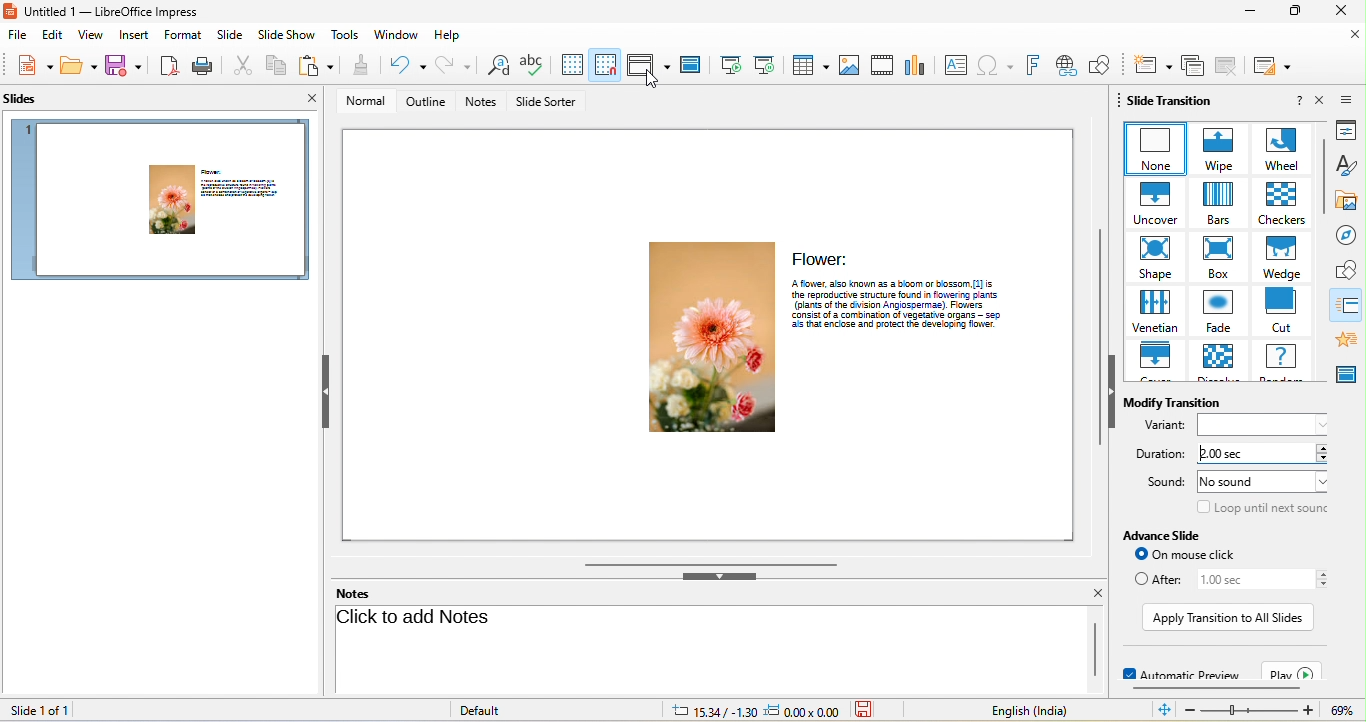  What do you see at coordinates (1283, 310) in the screenshot?
I see `cut` at bounding box center [1283, 310].